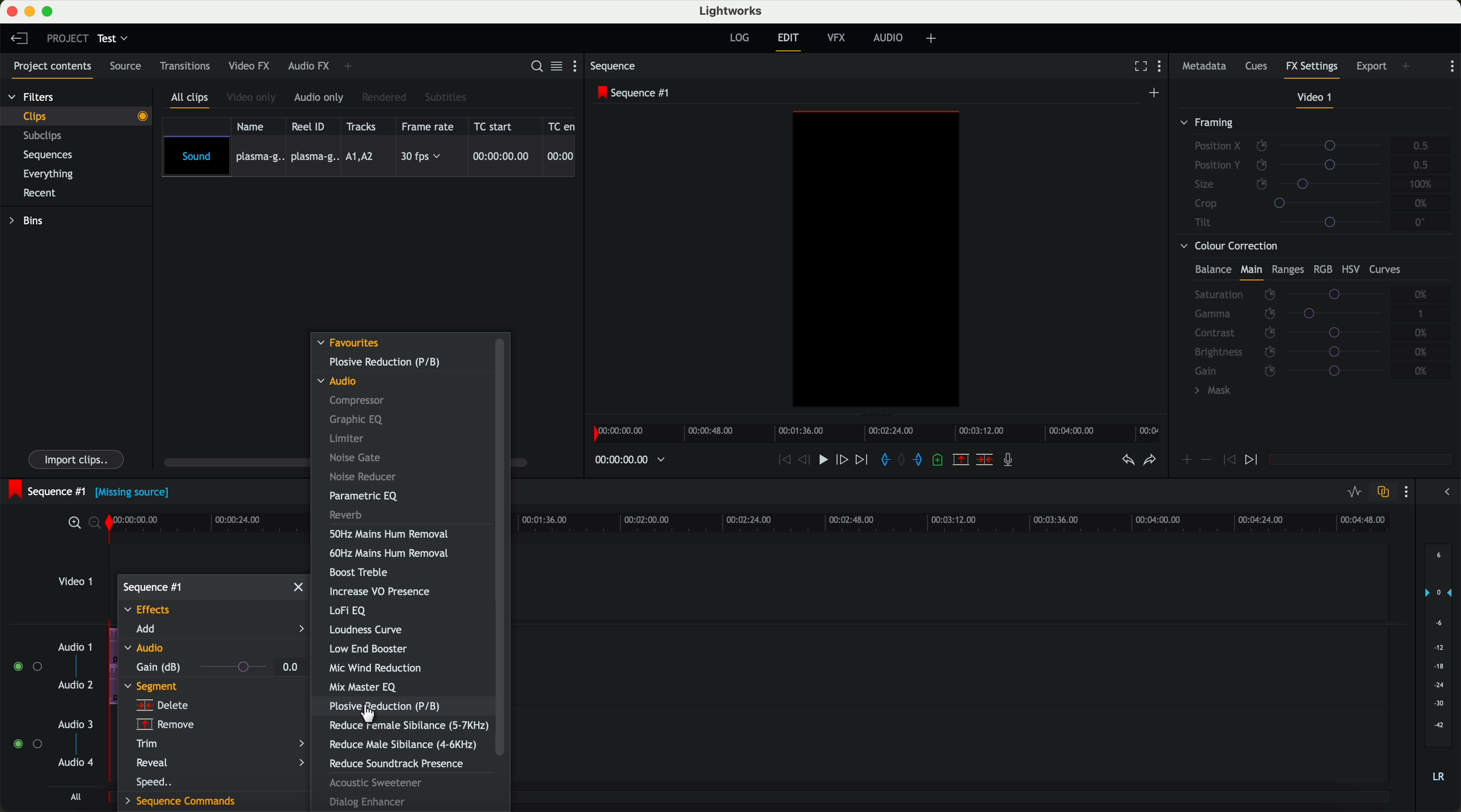  What do you see at coordinates (388, 535) in the screenshot?
I see `50Hz mains hum removal` at bounding box center [388, 535].